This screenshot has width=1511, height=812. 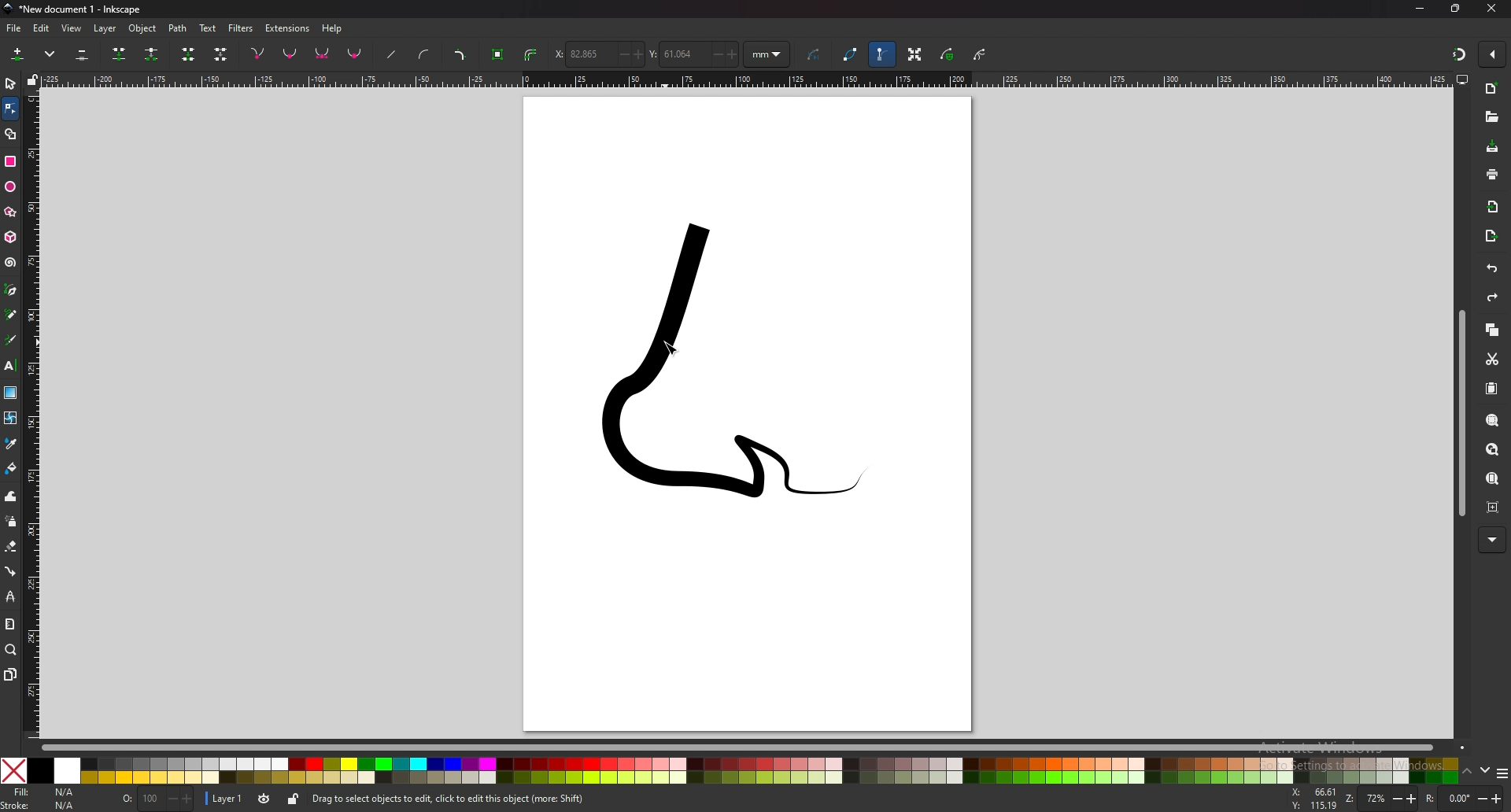 I want to click on lock, so click(x=294, y=799).